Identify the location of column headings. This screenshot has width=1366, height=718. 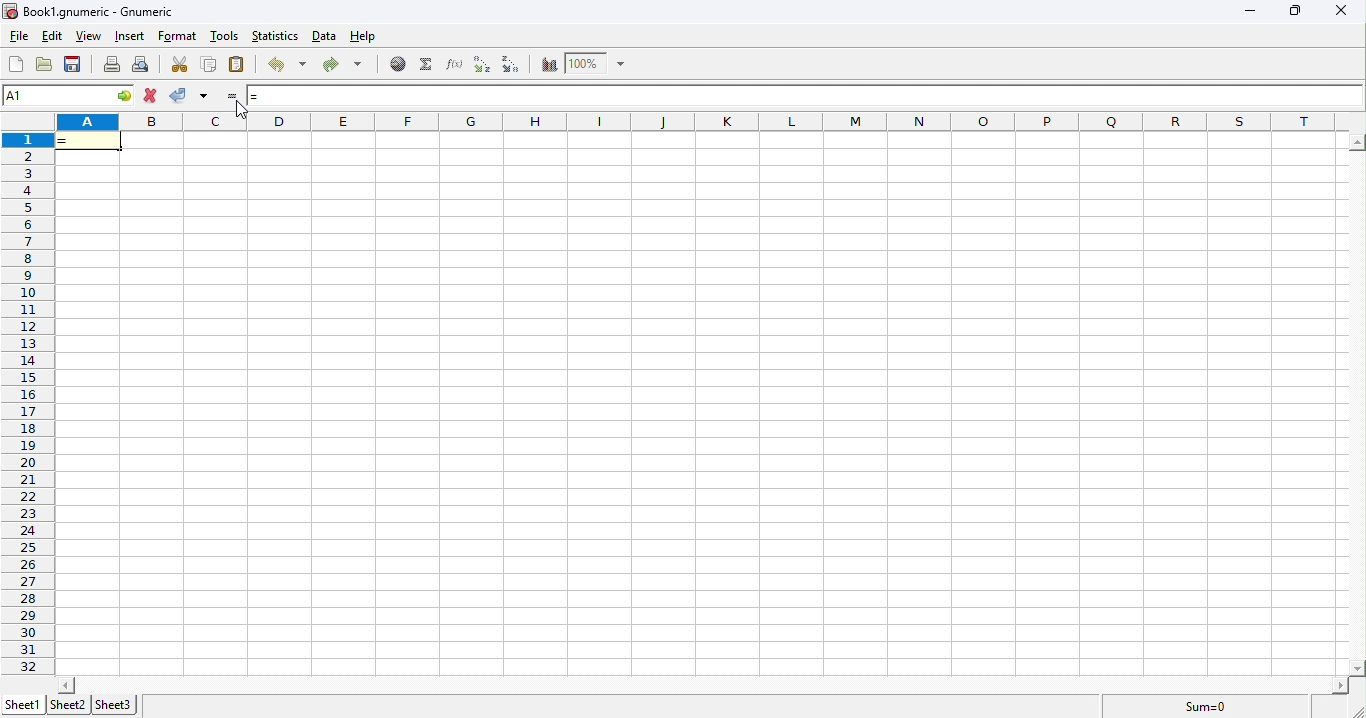
(710, 122).